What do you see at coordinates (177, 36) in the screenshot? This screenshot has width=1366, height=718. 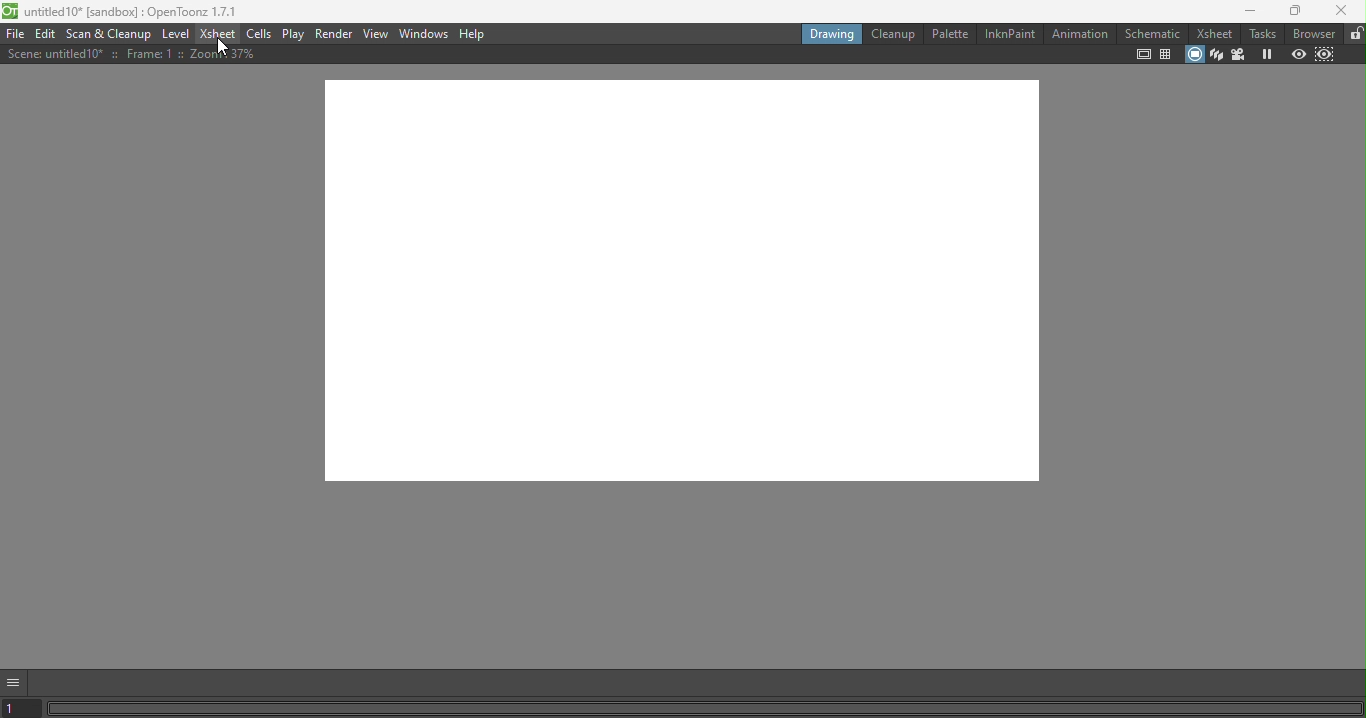 I see `Level` at bounding box center [177, 36].